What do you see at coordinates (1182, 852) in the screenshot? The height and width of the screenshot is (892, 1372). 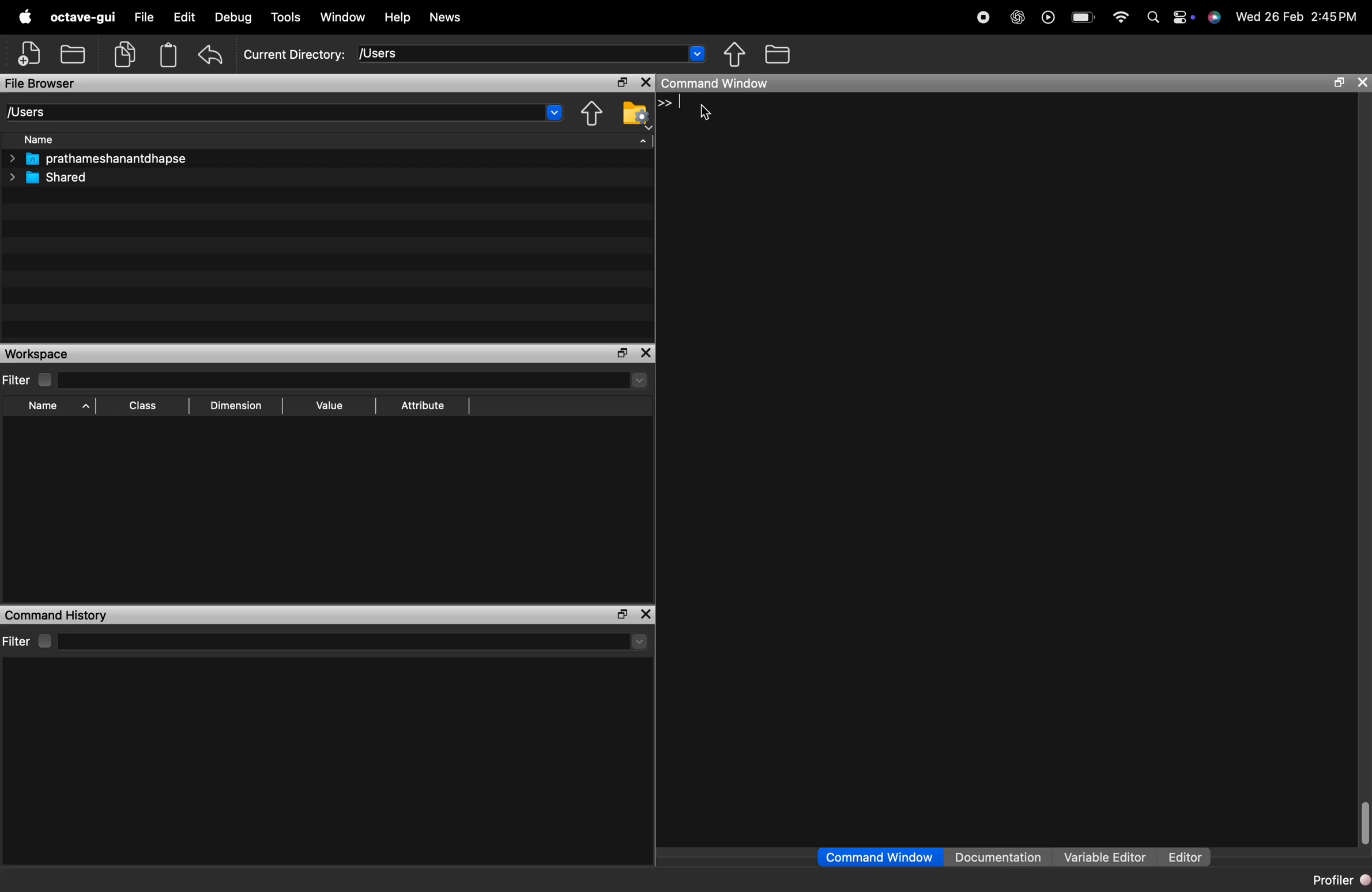 I see `Editor` at bounding box center [1182, 852].